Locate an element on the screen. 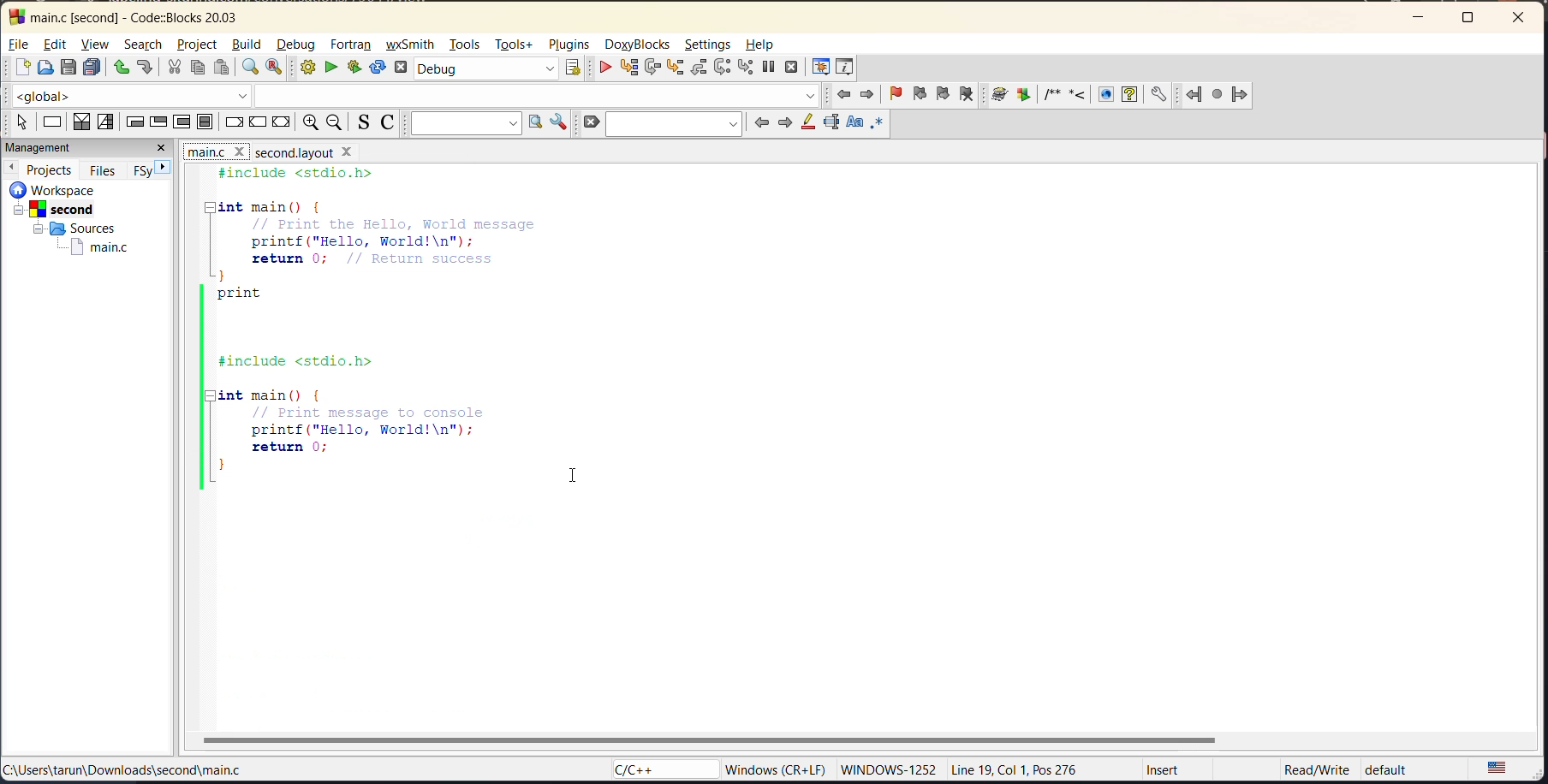  editor without split is located at coordinates (861, 448).